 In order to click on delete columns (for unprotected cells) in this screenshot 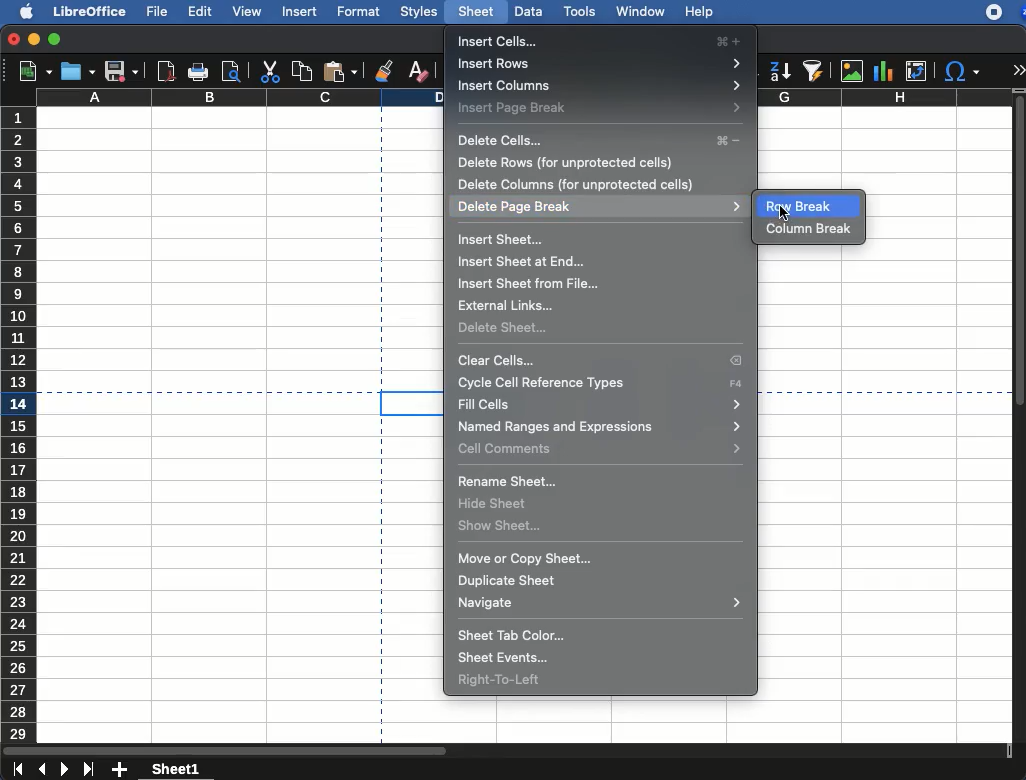, I will do `click(575, 184)`.